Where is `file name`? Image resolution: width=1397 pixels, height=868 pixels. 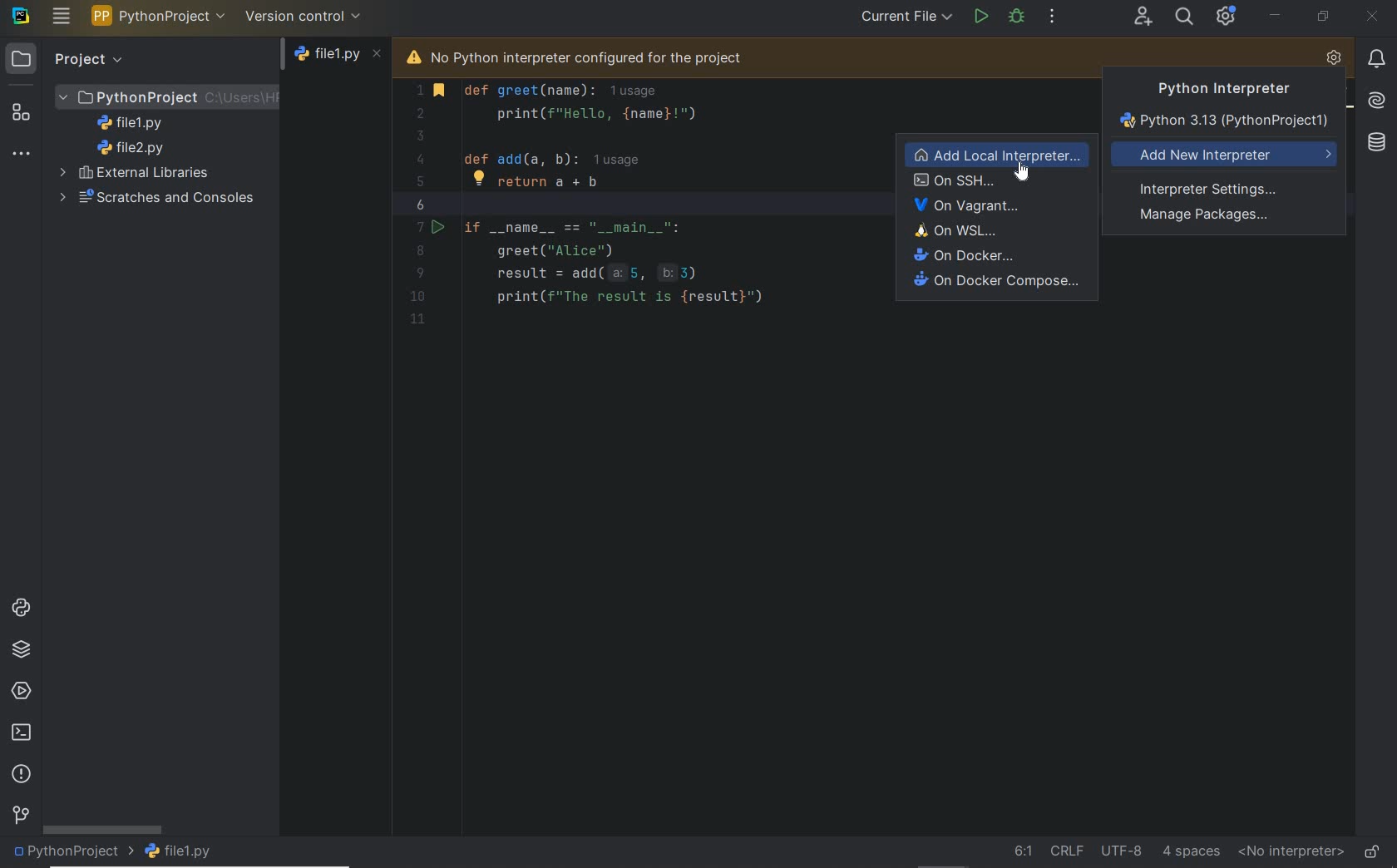
file name is located at coordinates (339, 58).